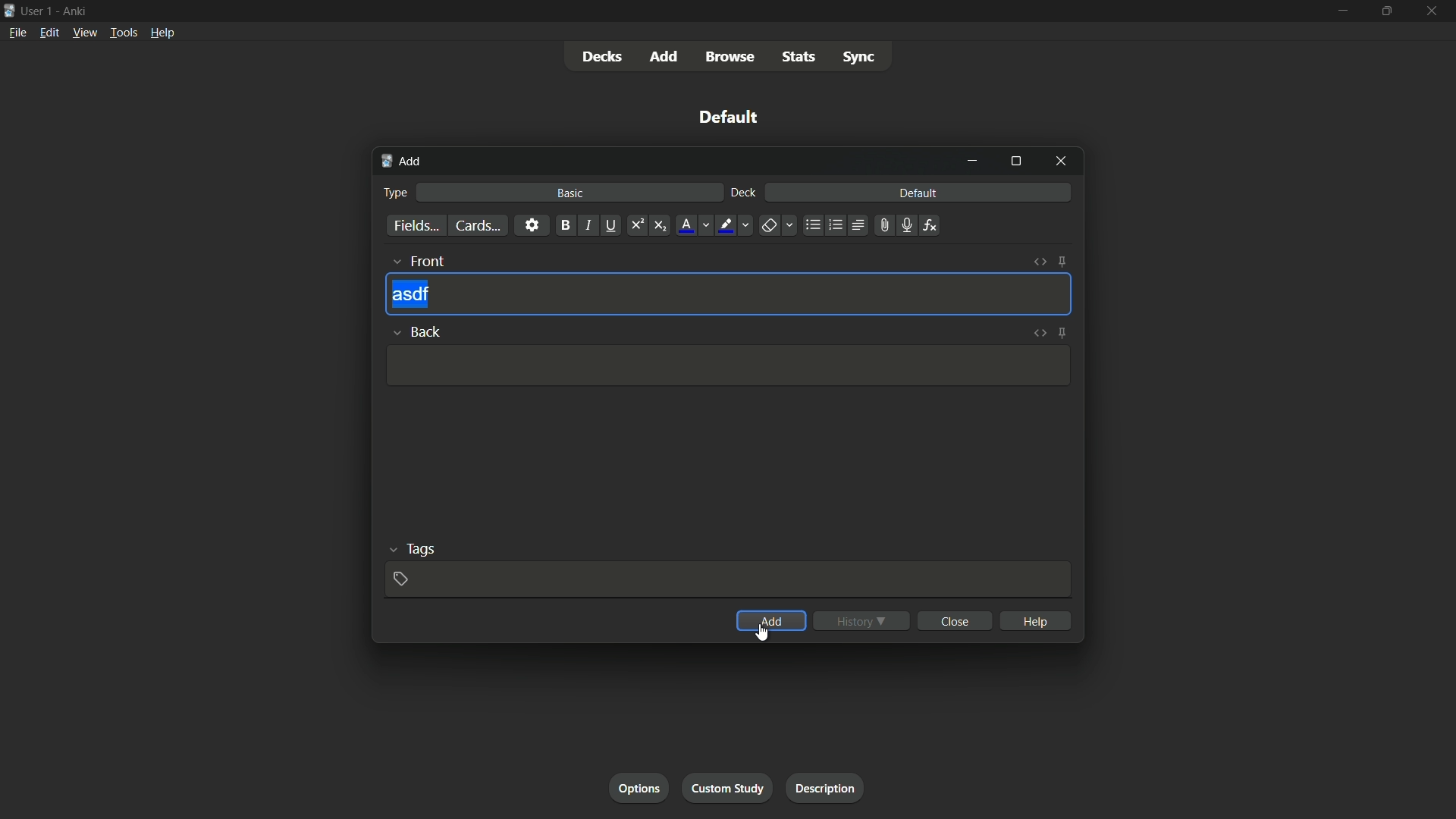 This screenshot has width=1456, height=819. Describe the element at coordinates (49, 33) in the screenshot. I see `edit` at that location.